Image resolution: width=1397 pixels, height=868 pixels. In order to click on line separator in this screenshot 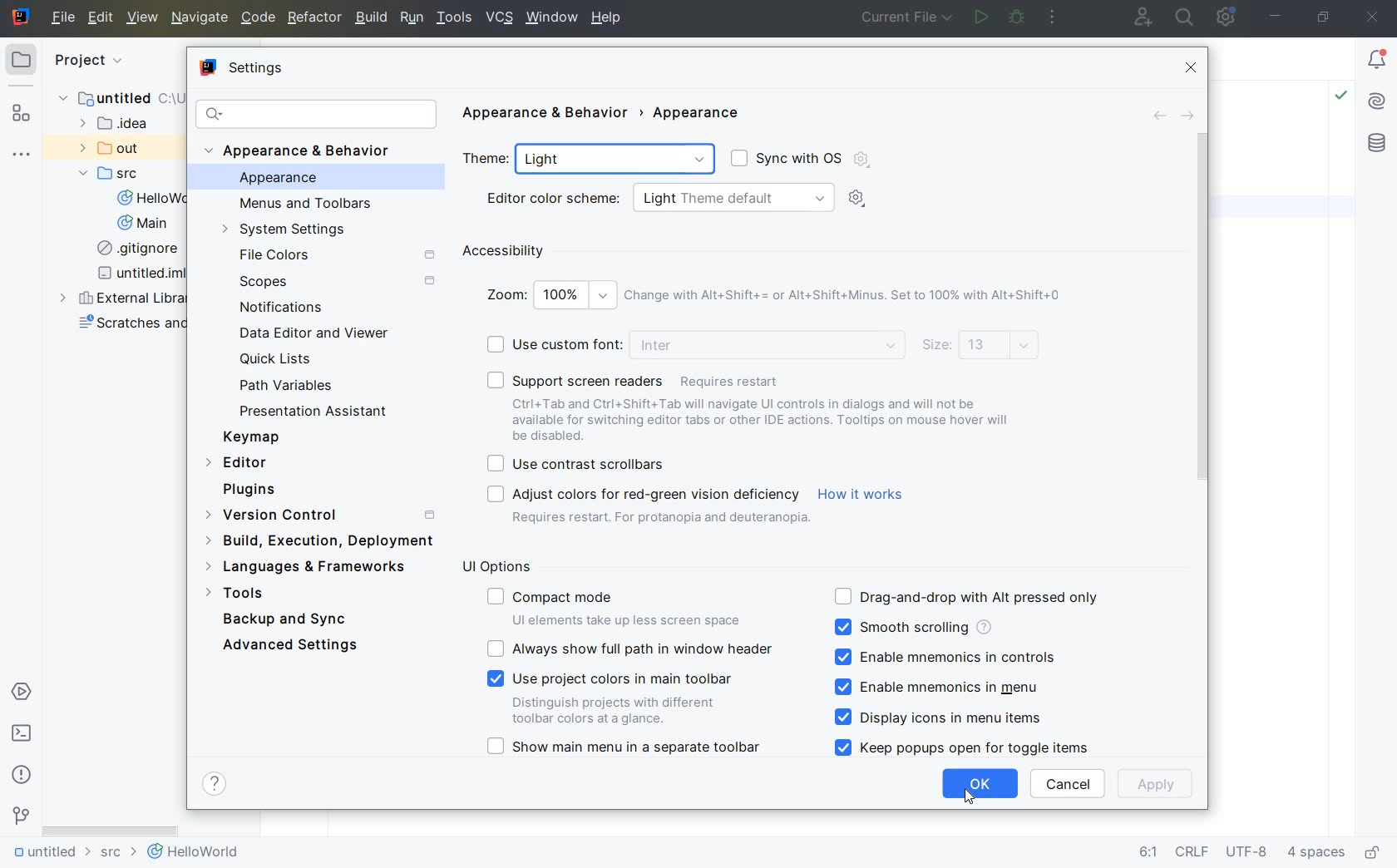, I will do `click(1195, 854)`.